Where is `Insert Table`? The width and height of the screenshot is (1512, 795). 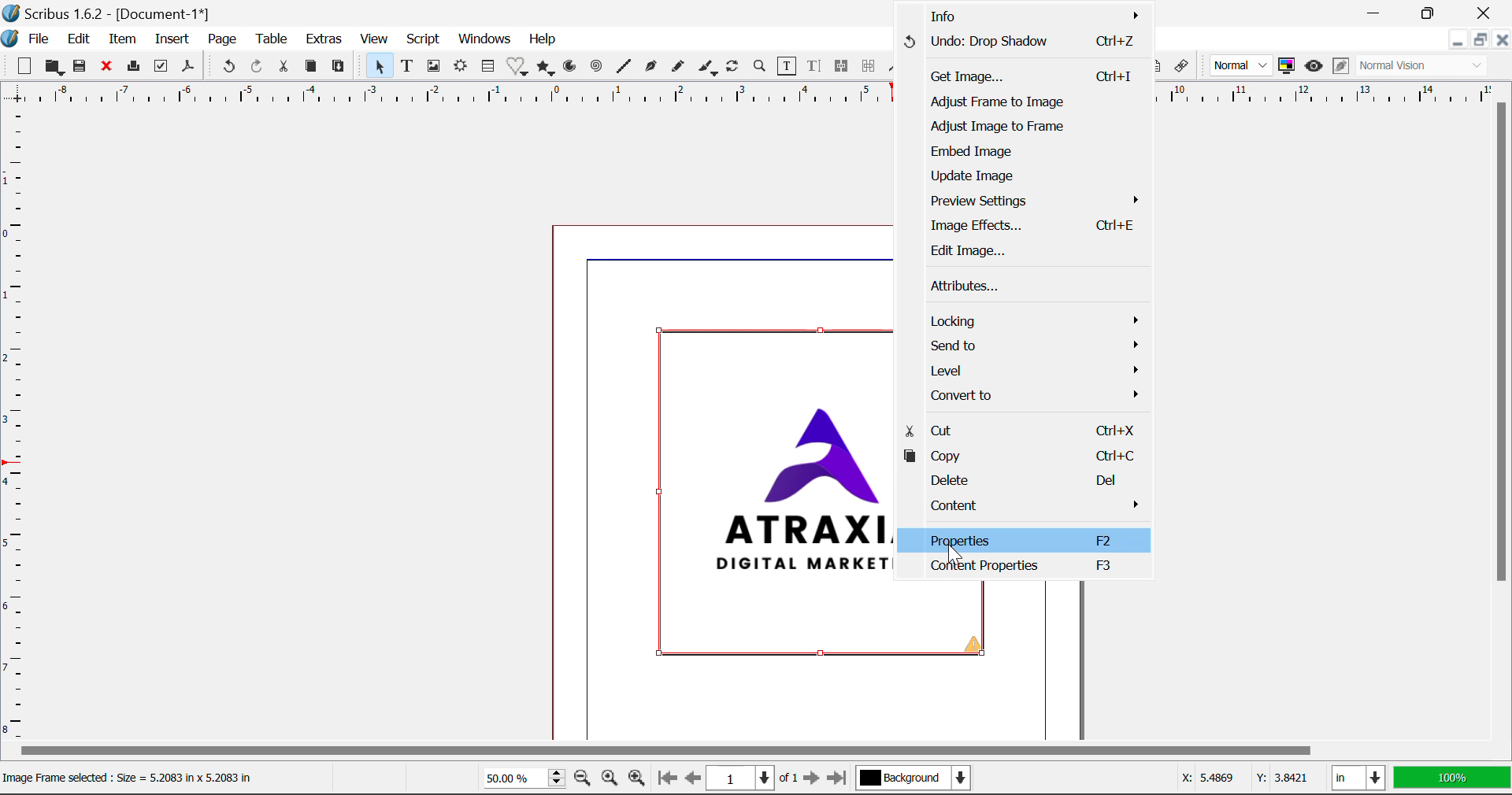 Insert Table is located at coordinates (491, 68).